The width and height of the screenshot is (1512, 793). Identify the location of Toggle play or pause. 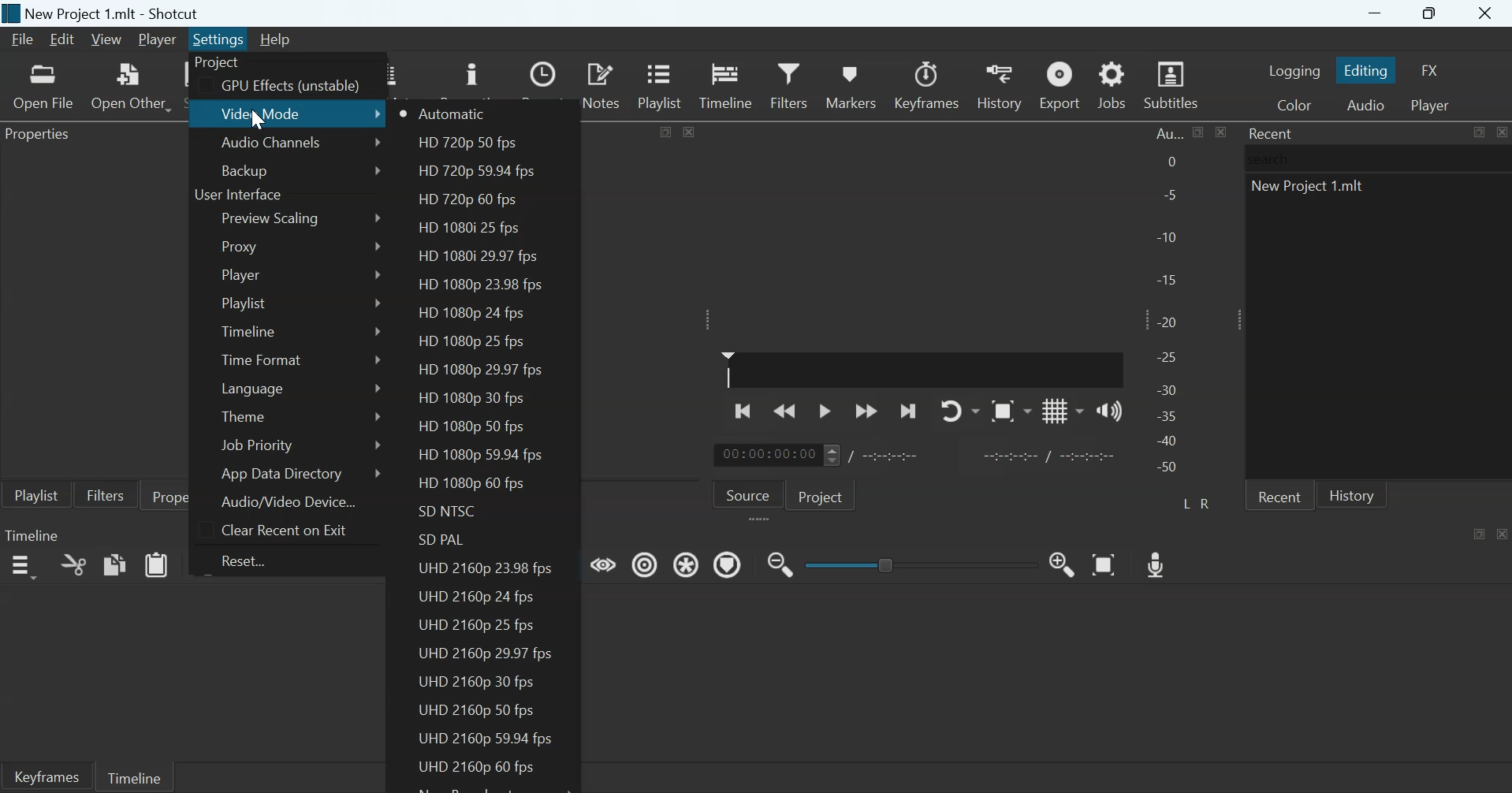
(825, 411).